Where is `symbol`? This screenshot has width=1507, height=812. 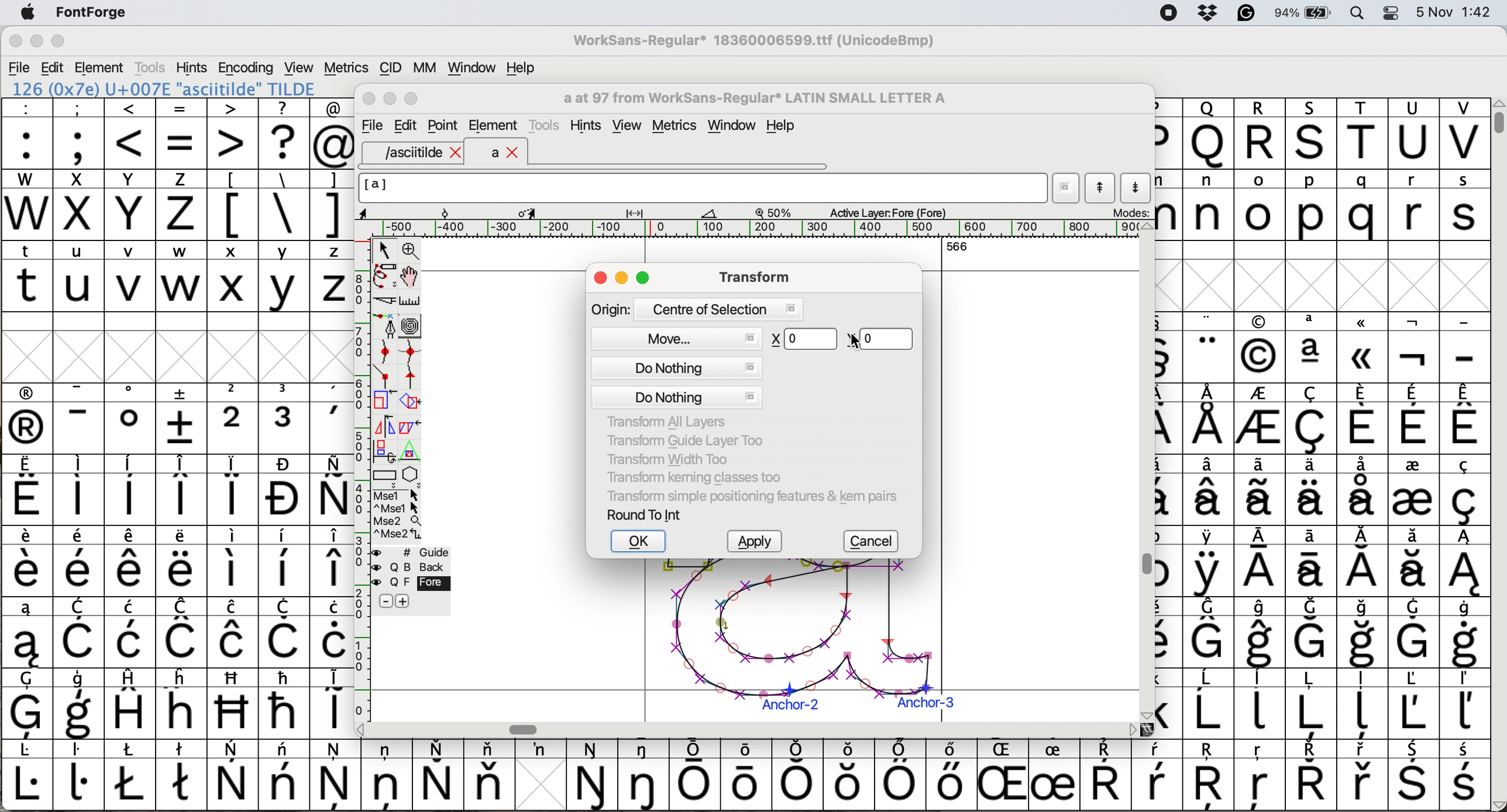
symbol is located at coordinates (593, 776).